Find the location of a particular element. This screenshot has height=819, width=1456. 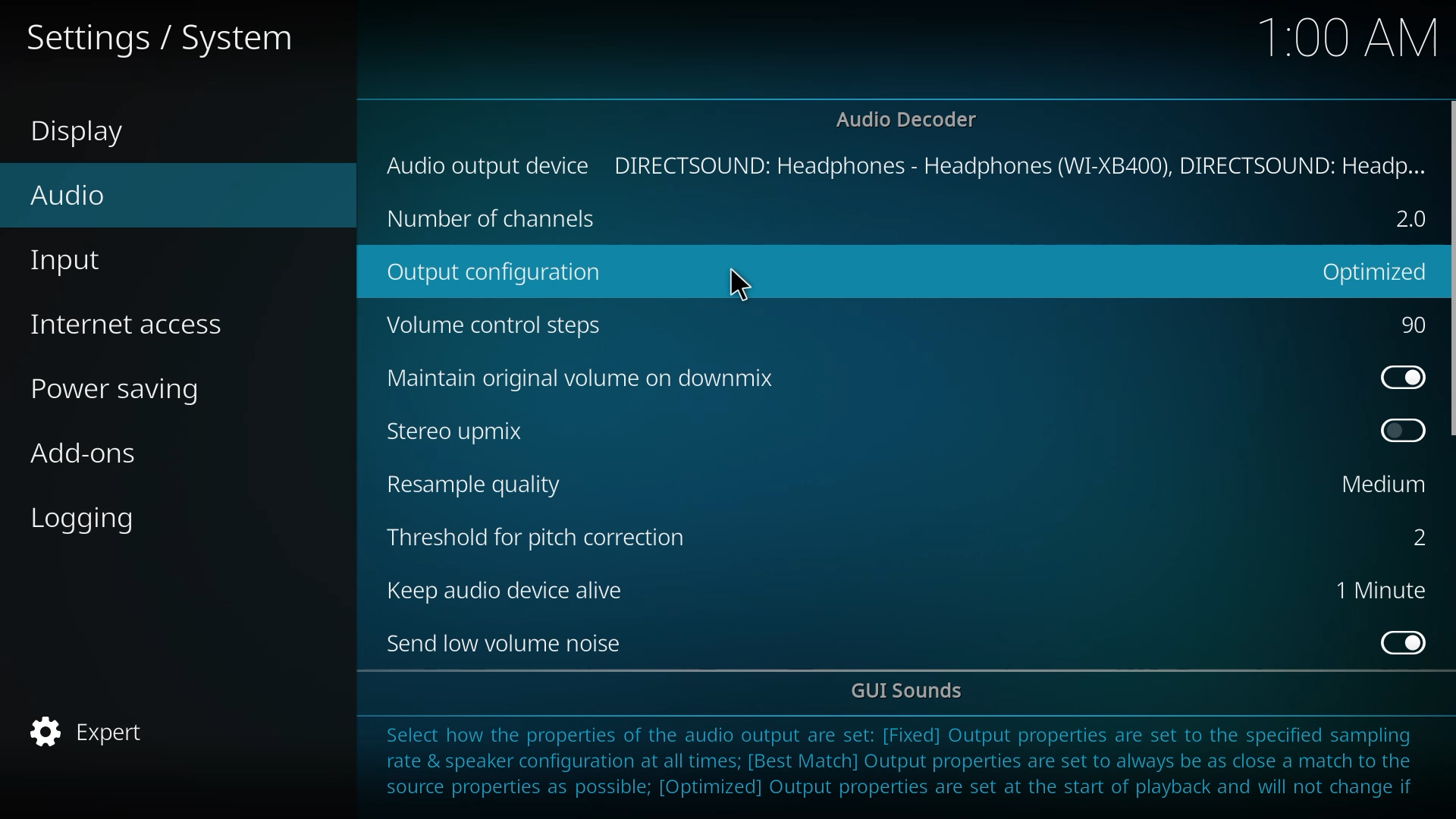

optimized is located at coordinates (1377, 271).